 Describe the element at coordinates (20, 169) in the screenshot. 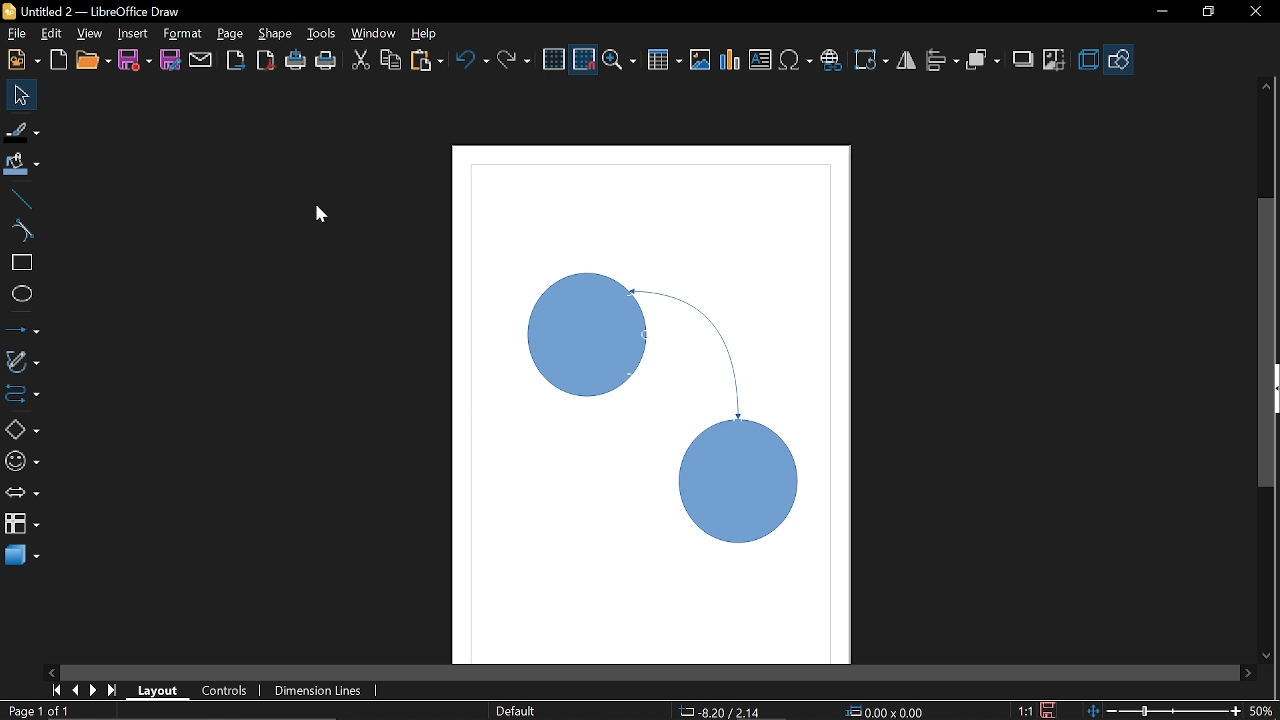

I see `Fill color` at that location.